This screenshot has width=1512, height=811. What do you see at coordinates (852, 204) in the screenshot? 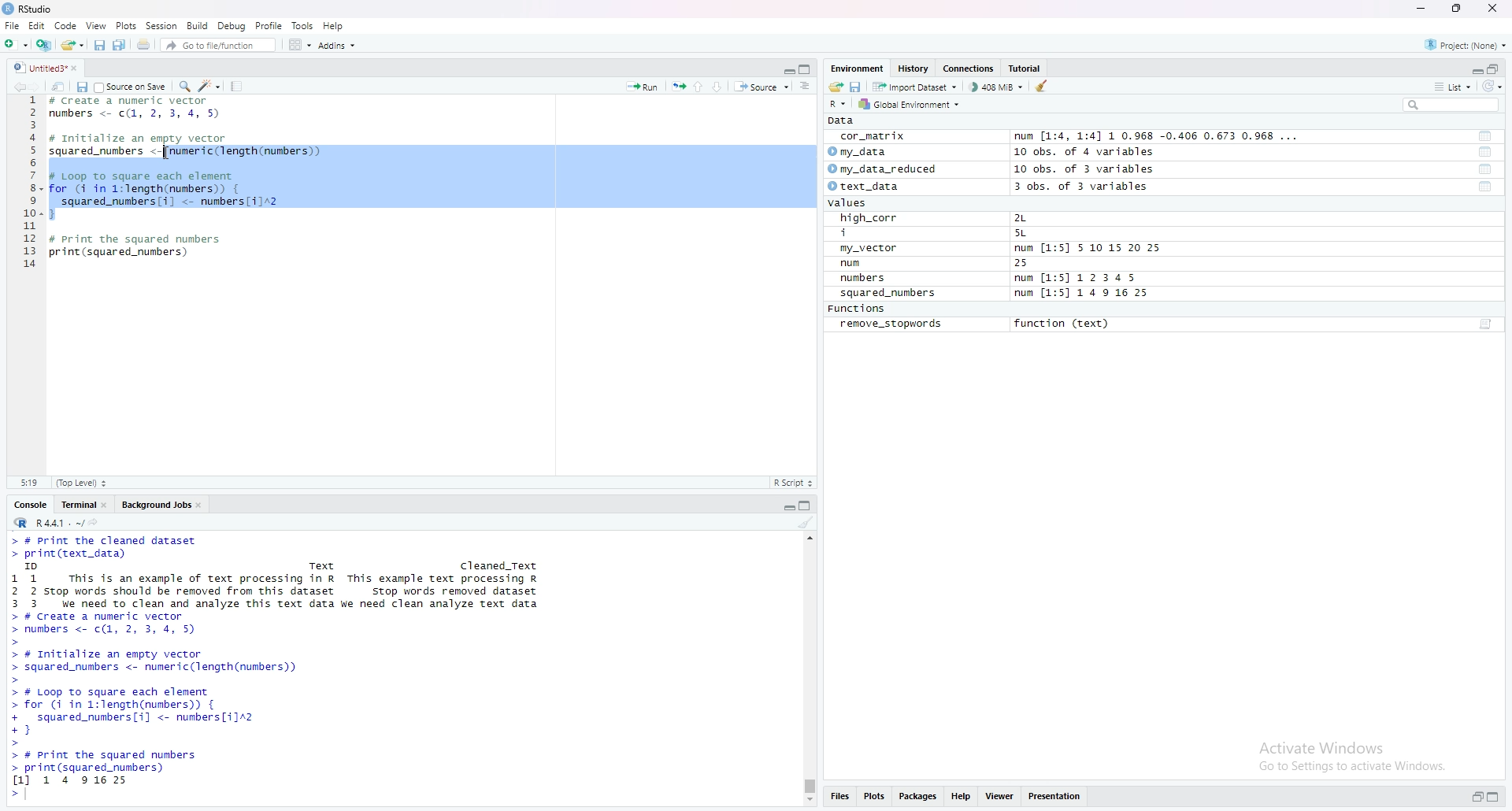
I see `values` at bounding box center [852, 204].